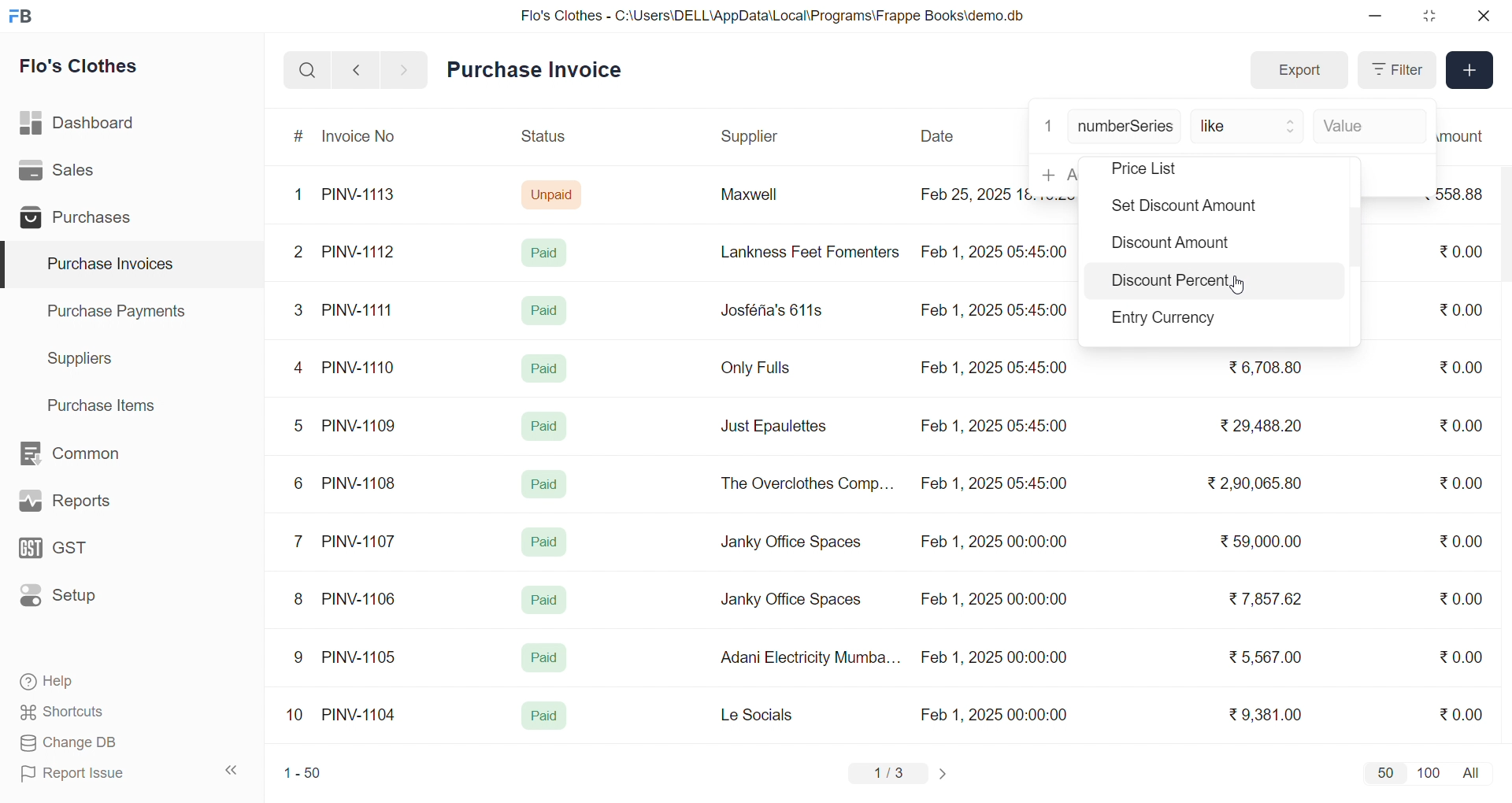 This screenshot has width=1512, height=803. Describe the element at coordinates (1429, 16) in the screenshot. I see `resize` at that location.